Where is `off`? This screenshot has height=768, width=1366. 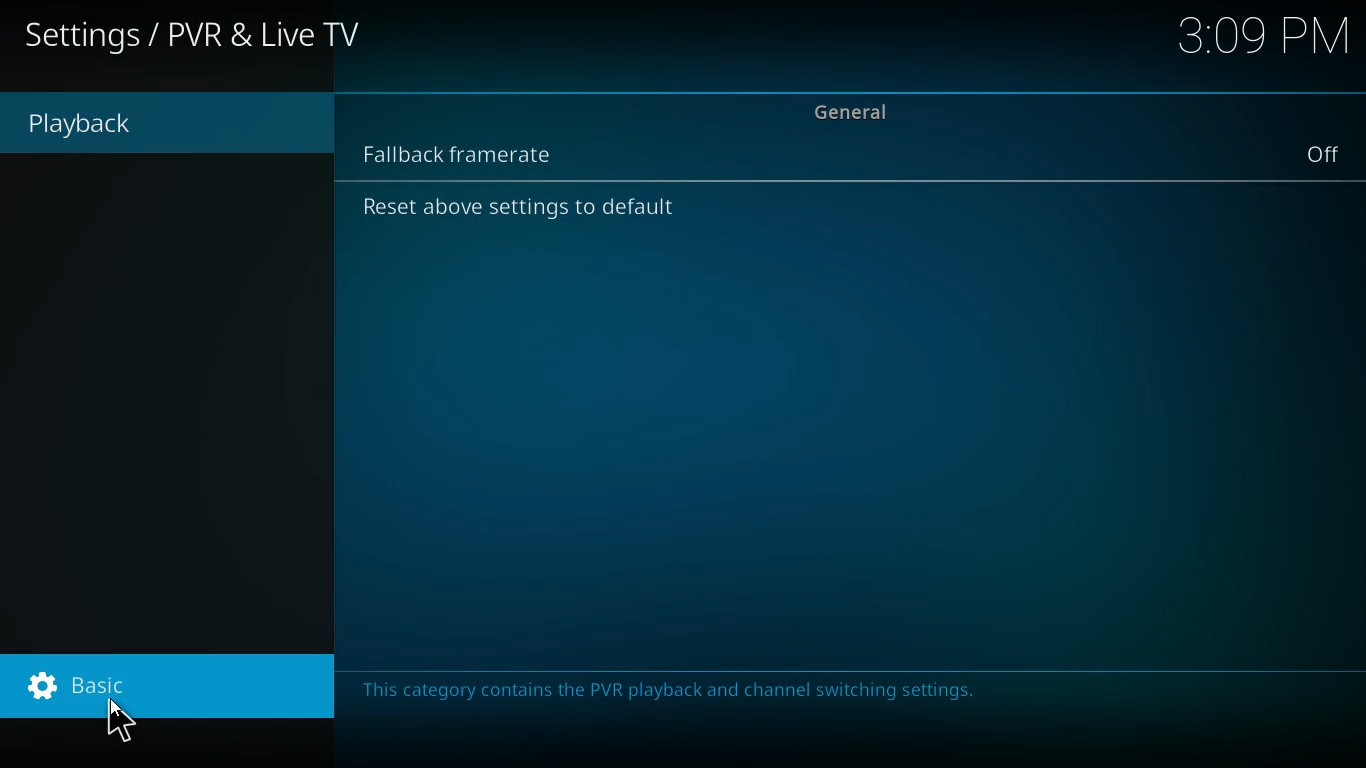 off is located at coordinates (1326, 153).